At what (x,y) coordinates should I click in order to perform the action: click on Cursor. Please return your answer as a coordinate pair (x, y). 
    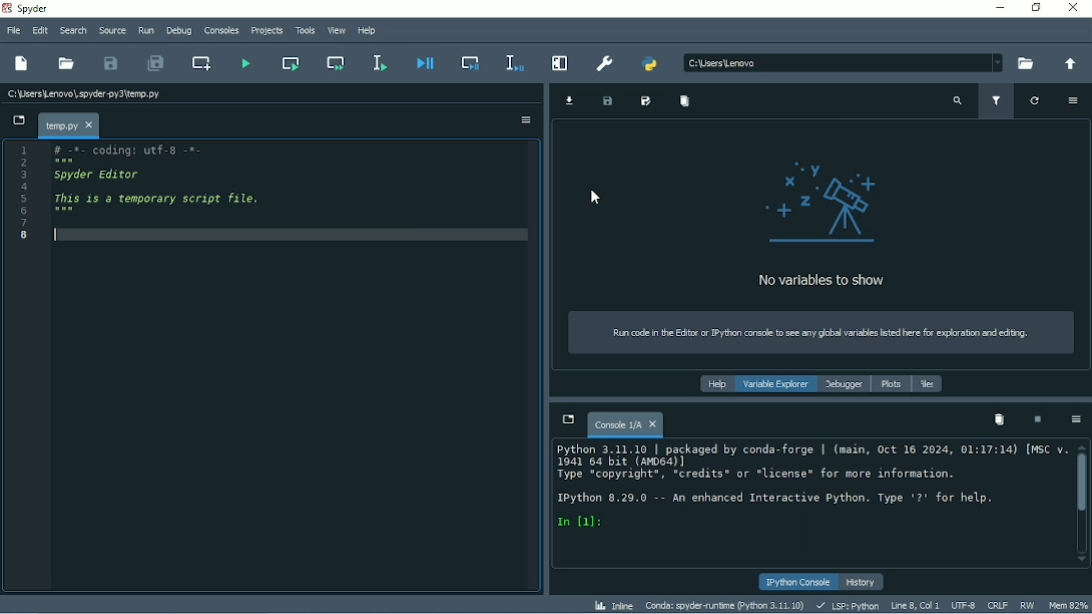
    Looking at the image, I should click on (595, 195).